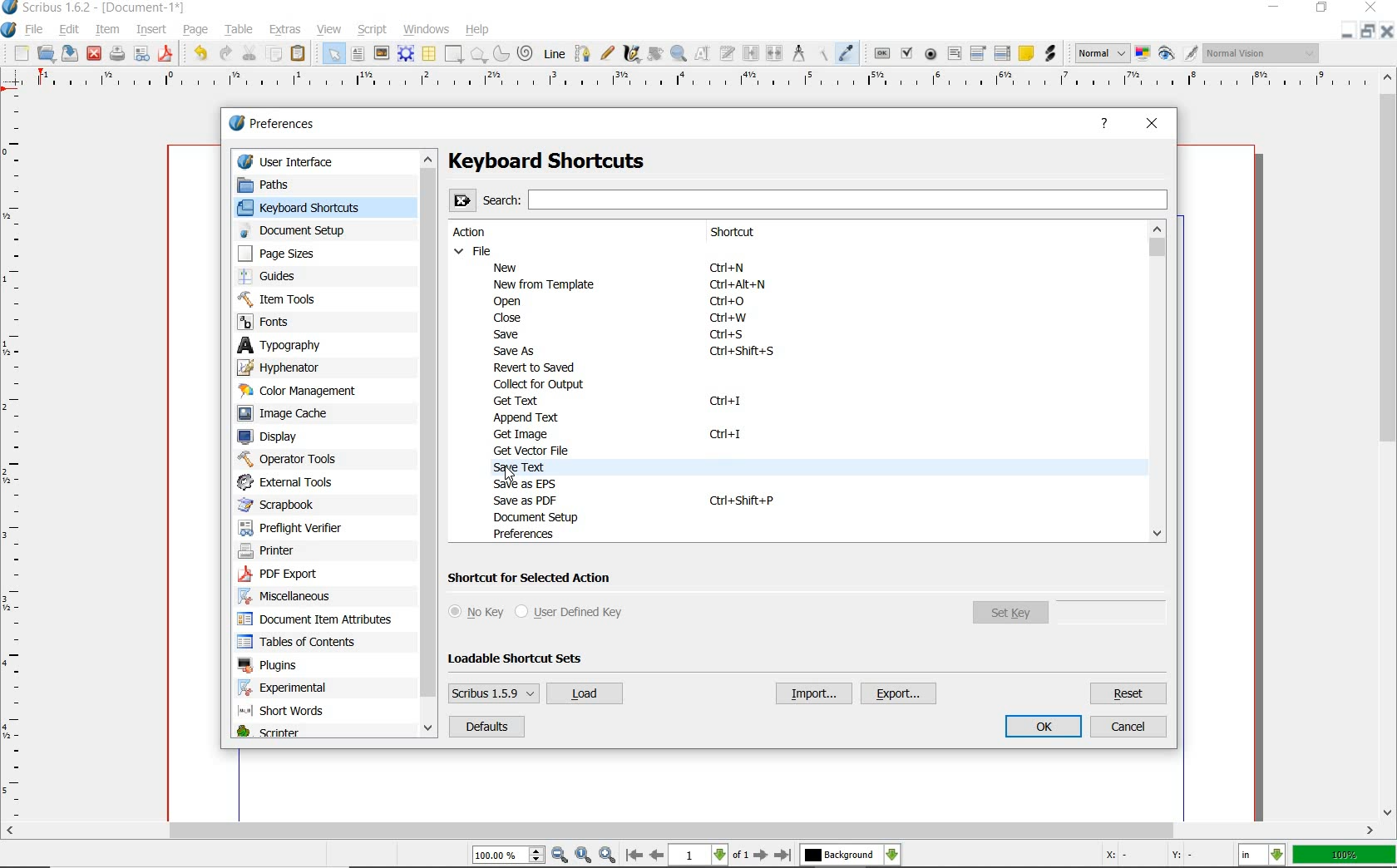  I want to click on new, so click(511, 267).